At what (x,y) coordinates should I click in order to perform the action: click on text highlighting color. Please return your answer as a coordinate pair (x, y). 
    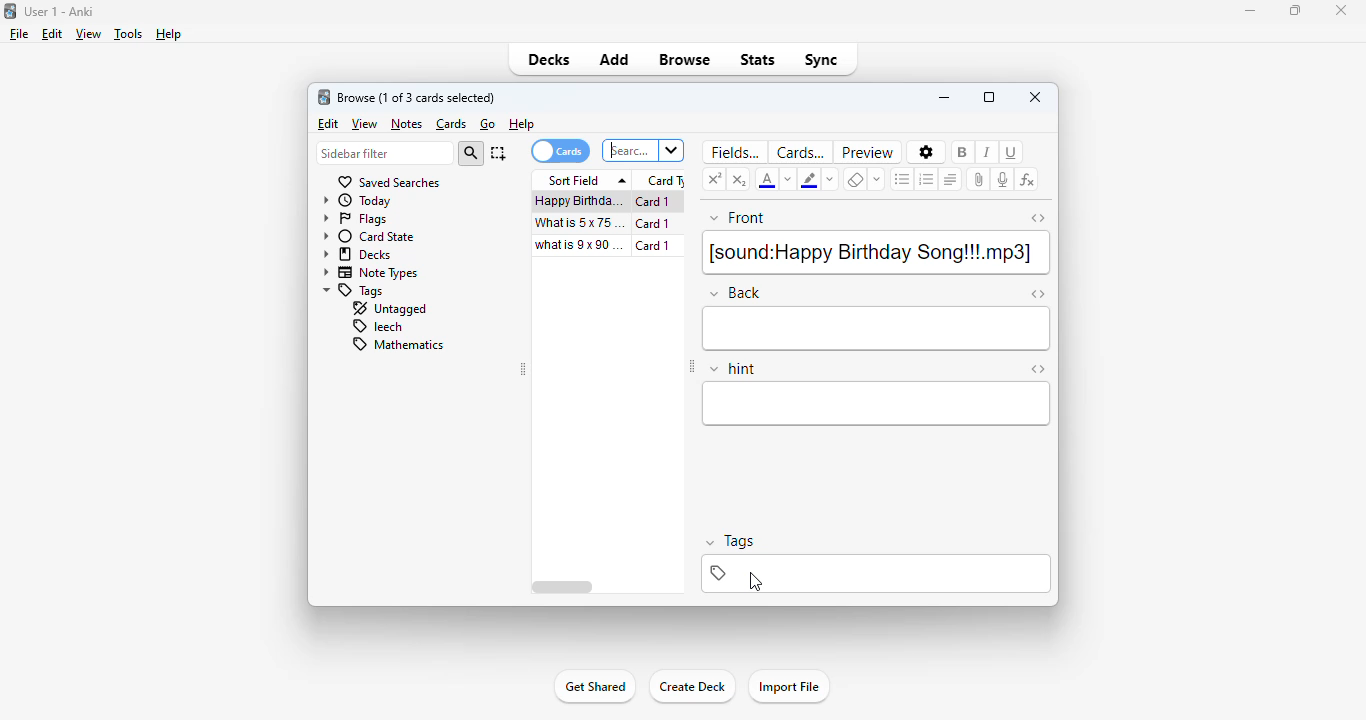
    Looking at the image, I should click on (809, 179).